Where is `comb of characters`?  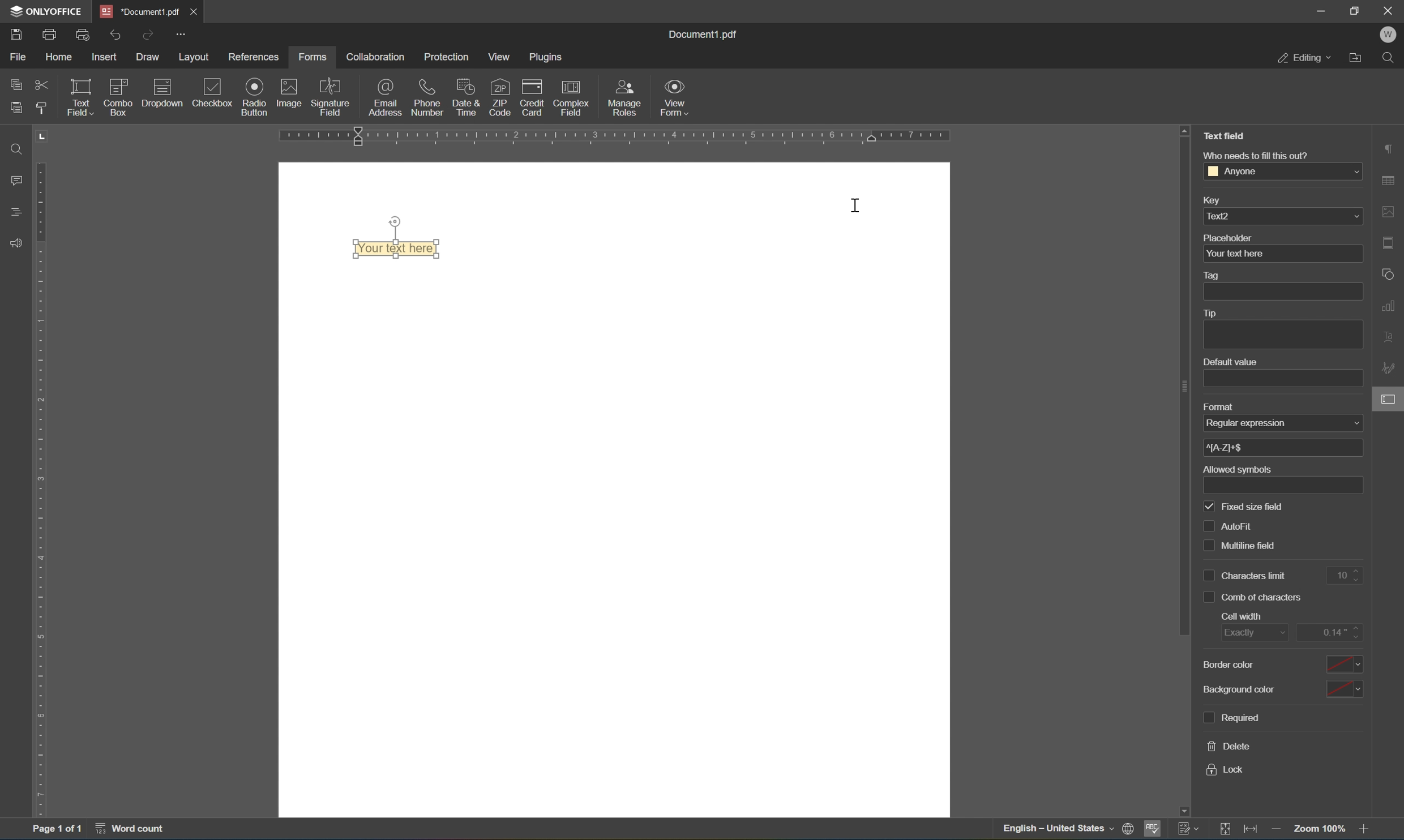 comb of characters is located at coordinates (1252, 596).